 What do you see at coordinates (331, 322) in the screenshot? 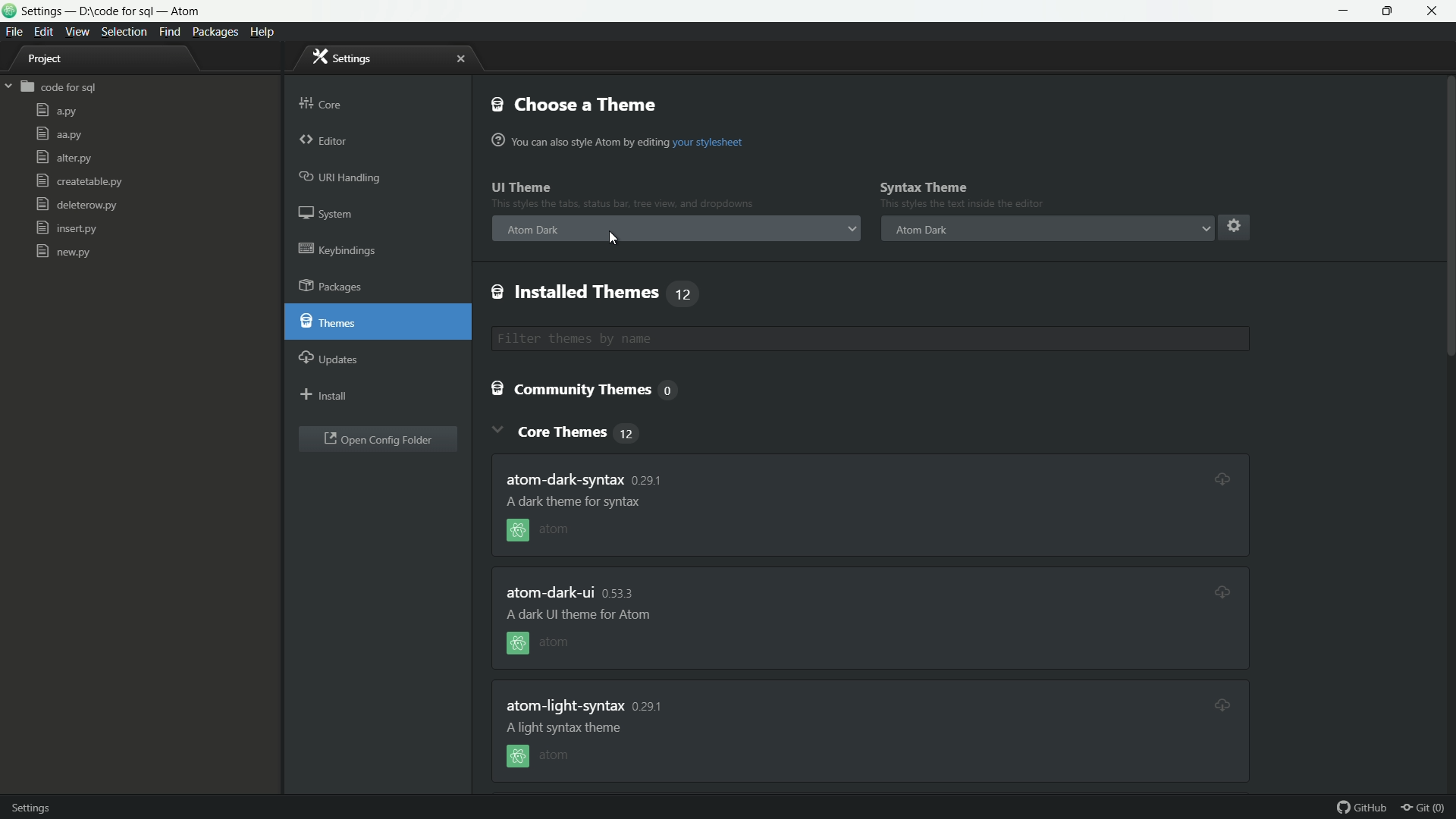
I see `themes` at bounding box center [331, 322].